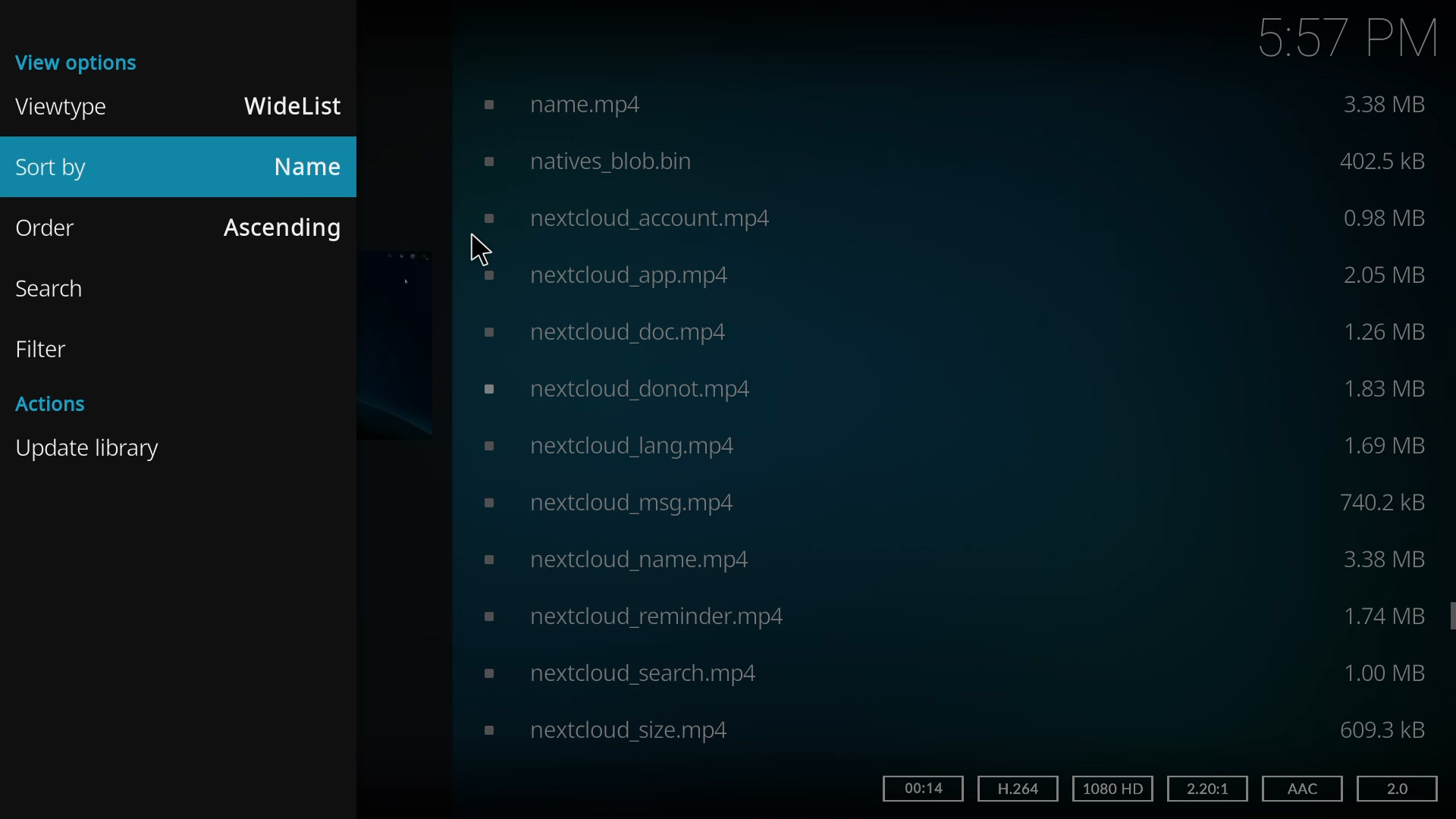 The width and height of the screenshot is (1456, 819). Describe the element at coordinates (297, 106) in the screenshot. I see `widelist` at that location.